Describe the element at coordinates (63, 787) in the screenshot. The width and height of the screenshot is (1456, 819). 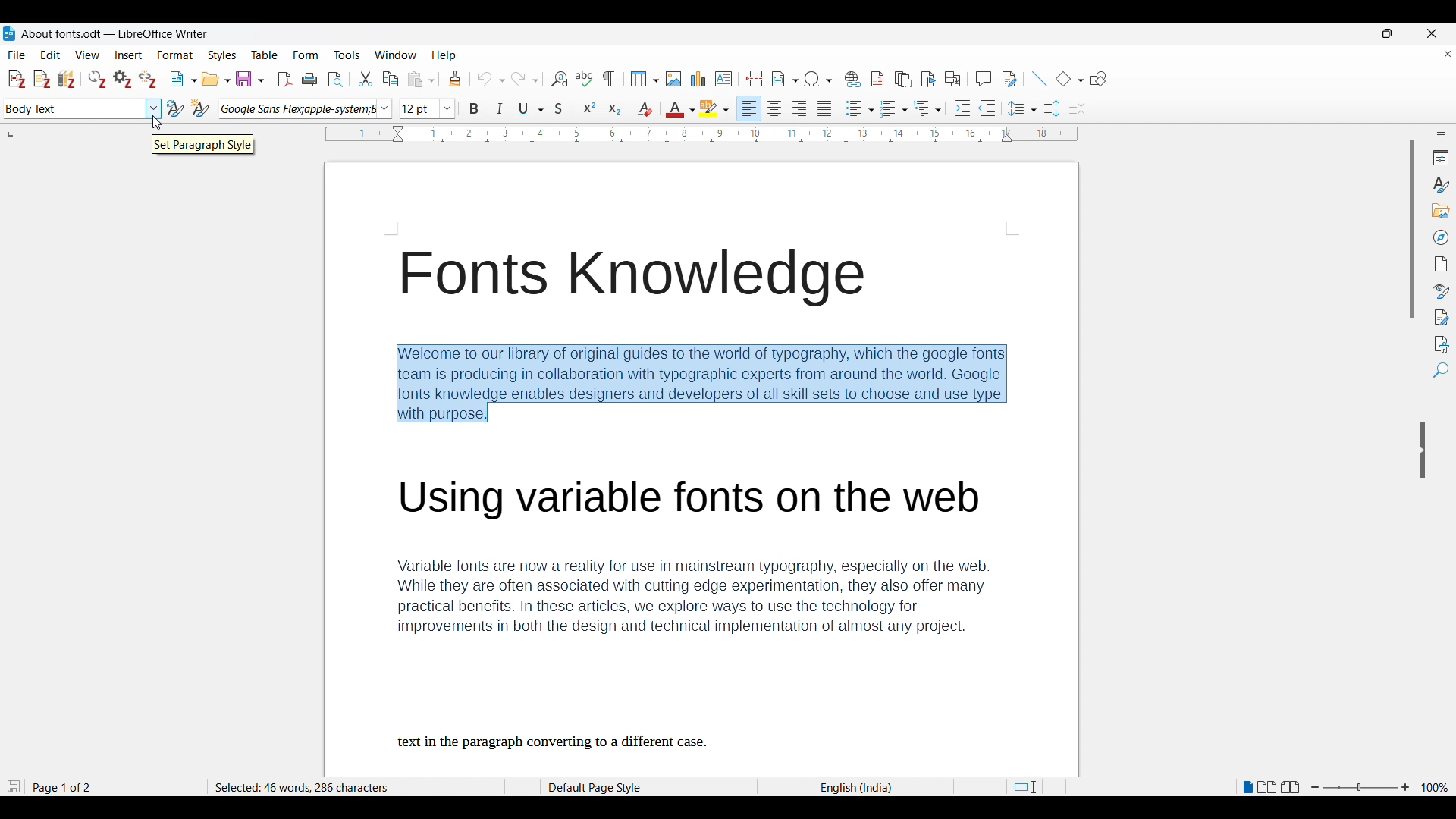
I see `Page 1 of 2` at that location.